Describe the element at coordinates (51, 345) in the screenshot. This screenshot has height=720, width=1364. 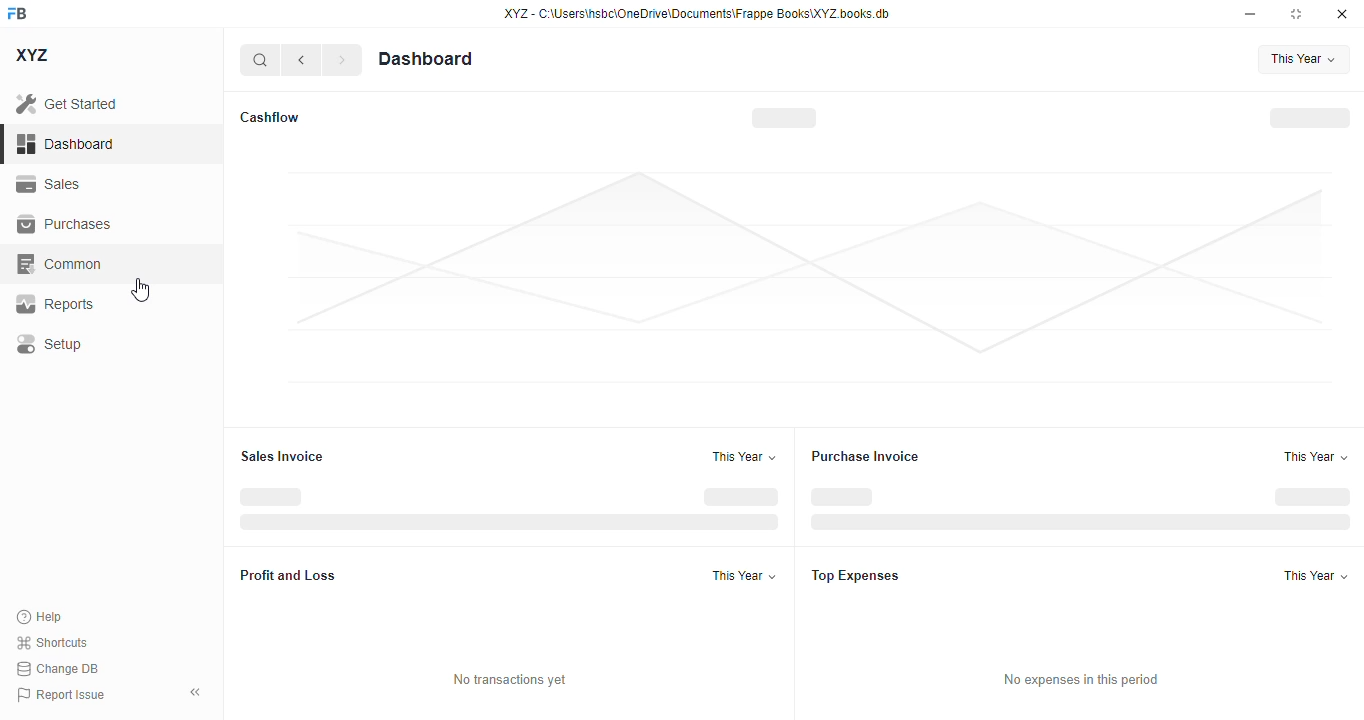
I see `setup` at that location.